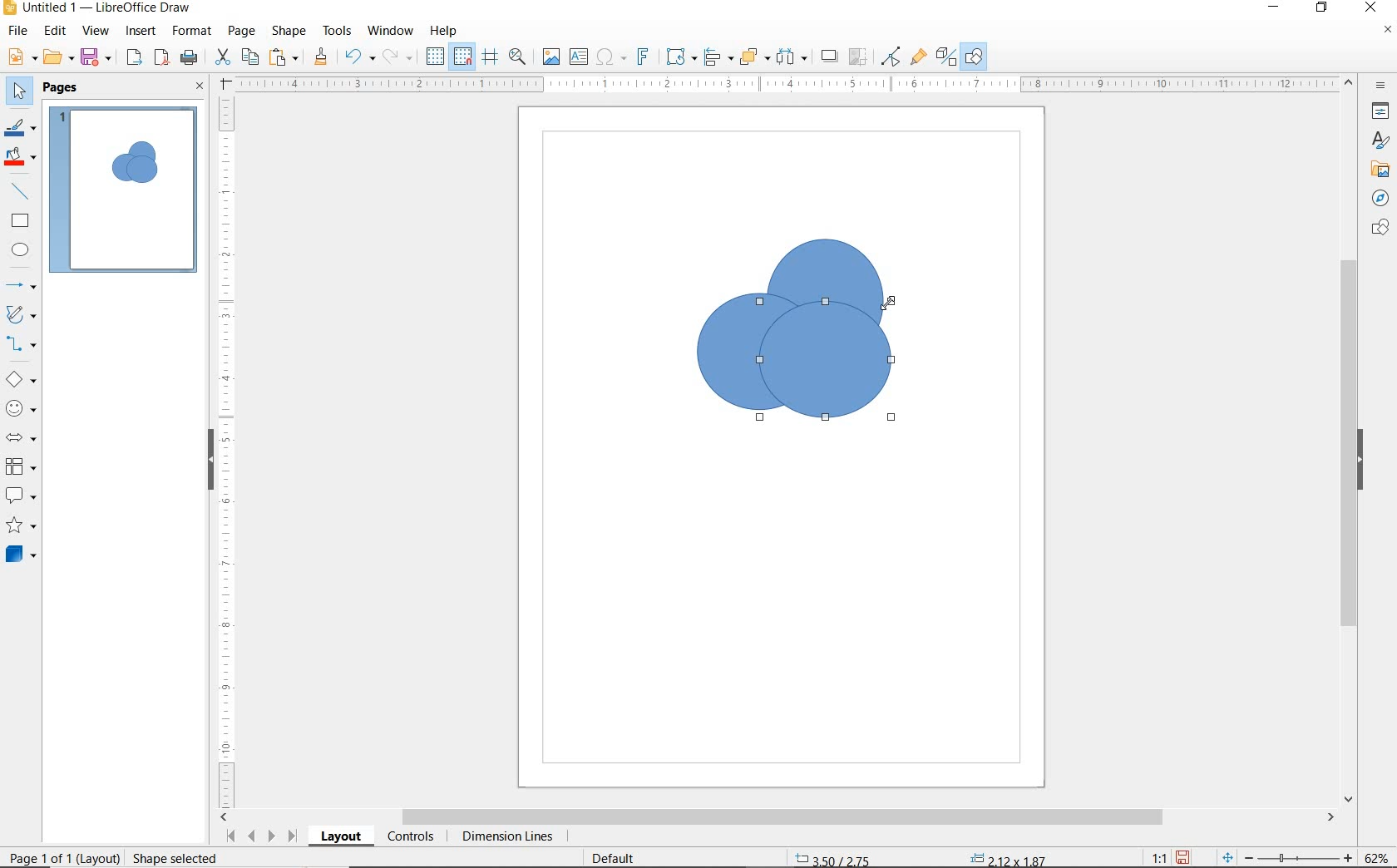  I want to click on BLOCK ARROWS, so click(20, 435).